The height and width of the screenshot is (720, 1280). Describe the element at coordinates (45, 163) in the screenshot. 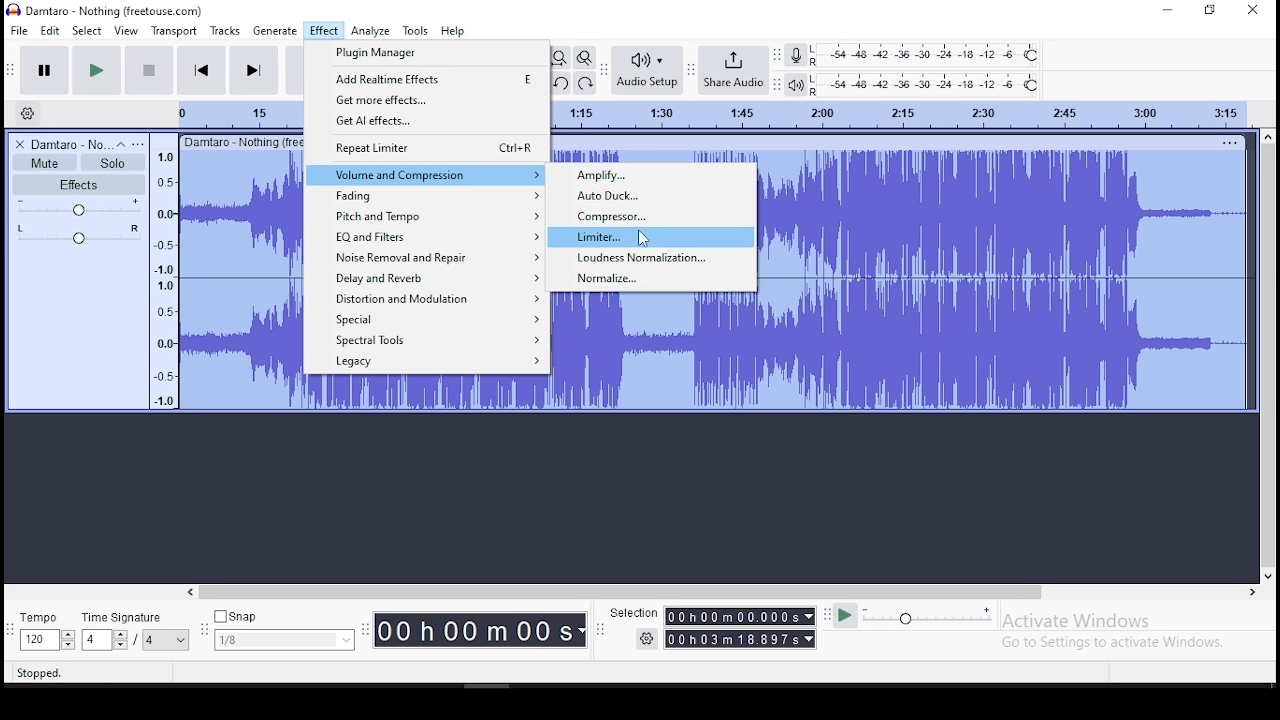

I see `mute` at that location.